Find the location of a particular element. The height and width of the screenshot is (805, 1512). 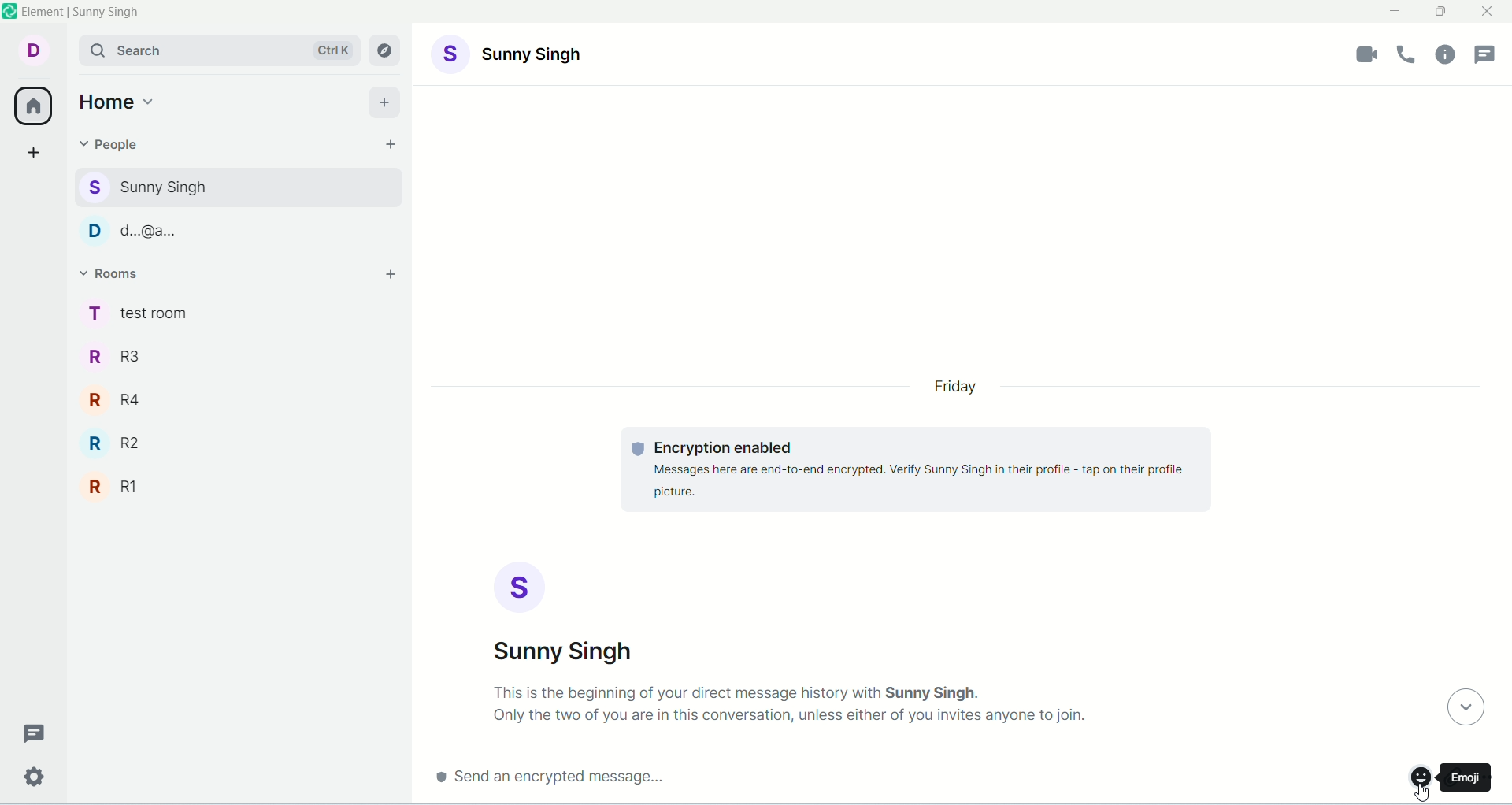

R3 is located at coordinates (236, 354).